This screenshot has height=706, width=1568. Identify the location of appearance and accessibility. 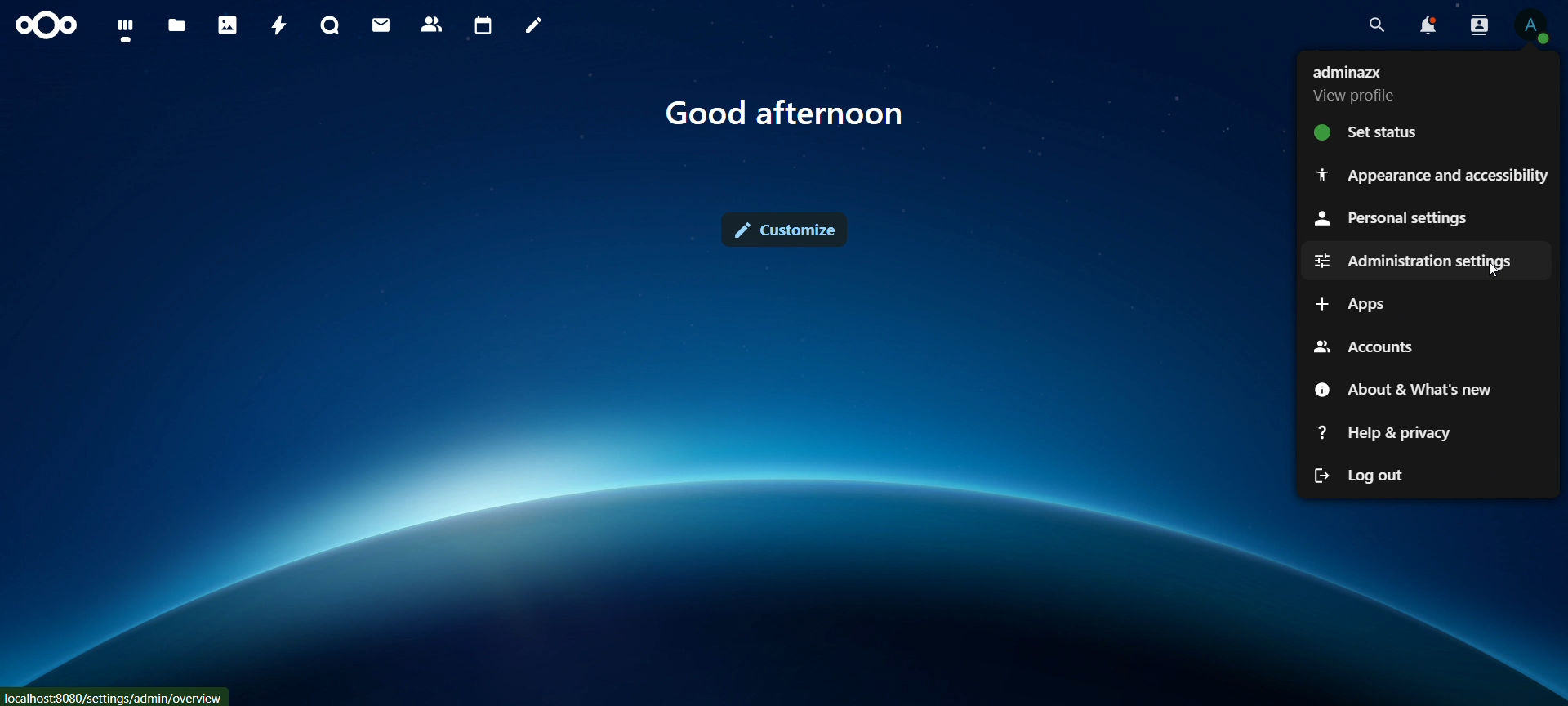
(1434, 176).